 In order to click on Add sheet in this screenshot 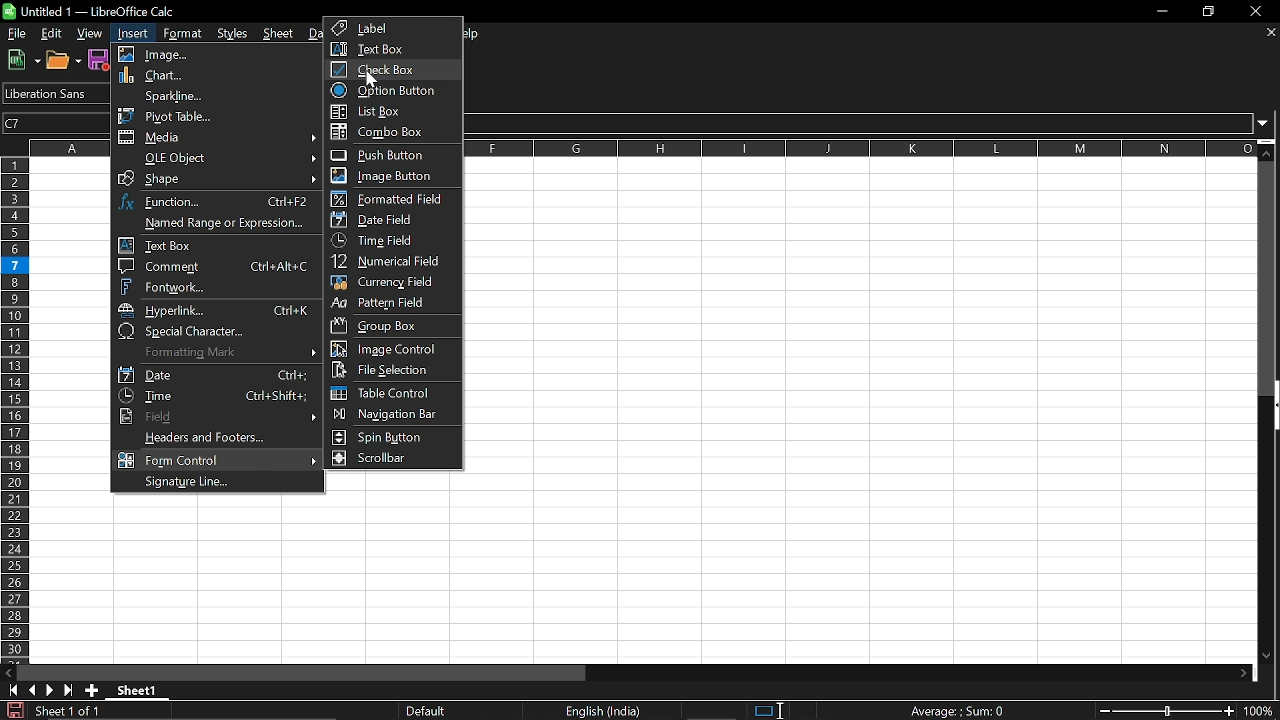, I will do `click(91, 690)`.